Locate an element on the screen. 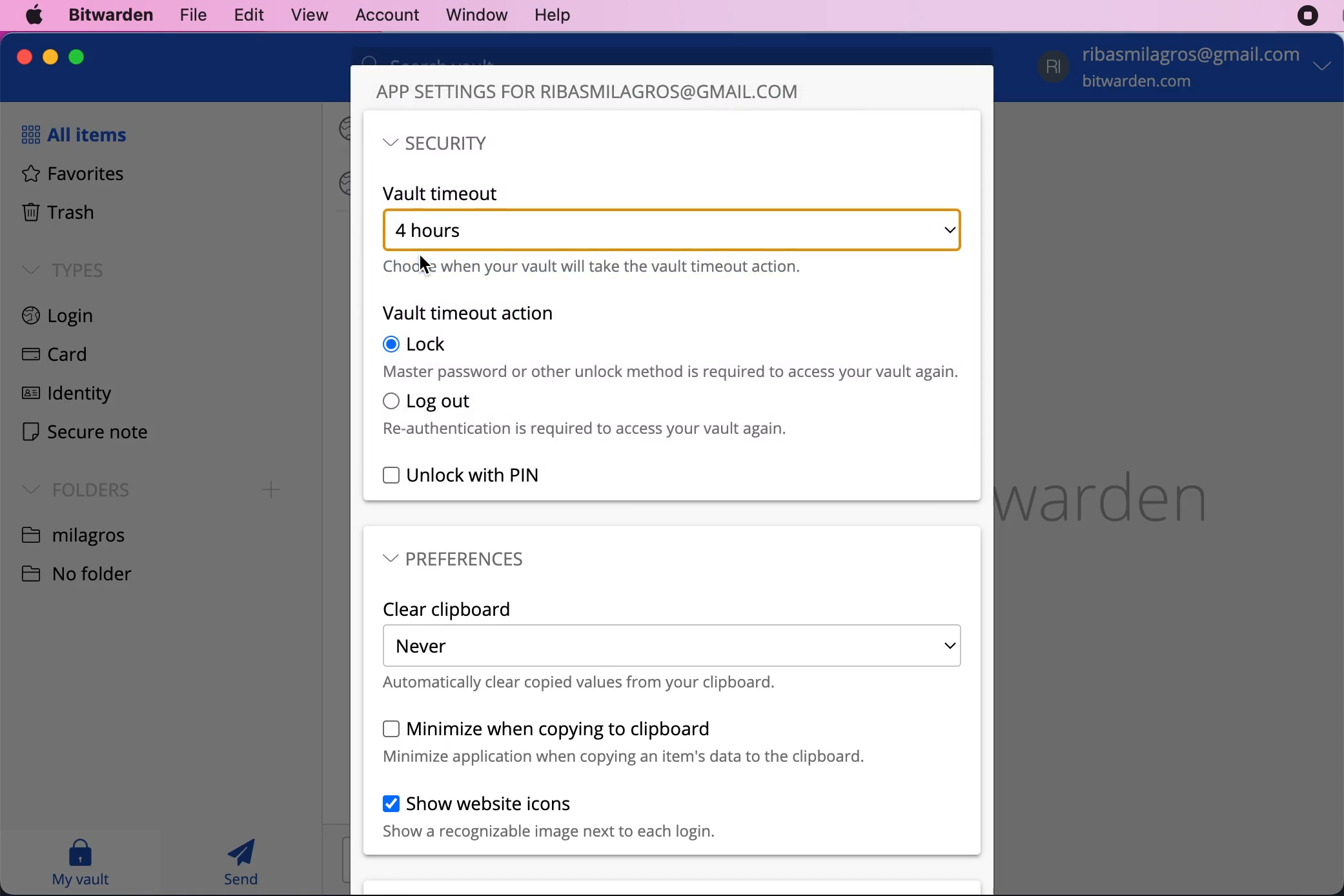 The width and height of the screenshot is (1344, 896). never is located at coordinates (672, 646).